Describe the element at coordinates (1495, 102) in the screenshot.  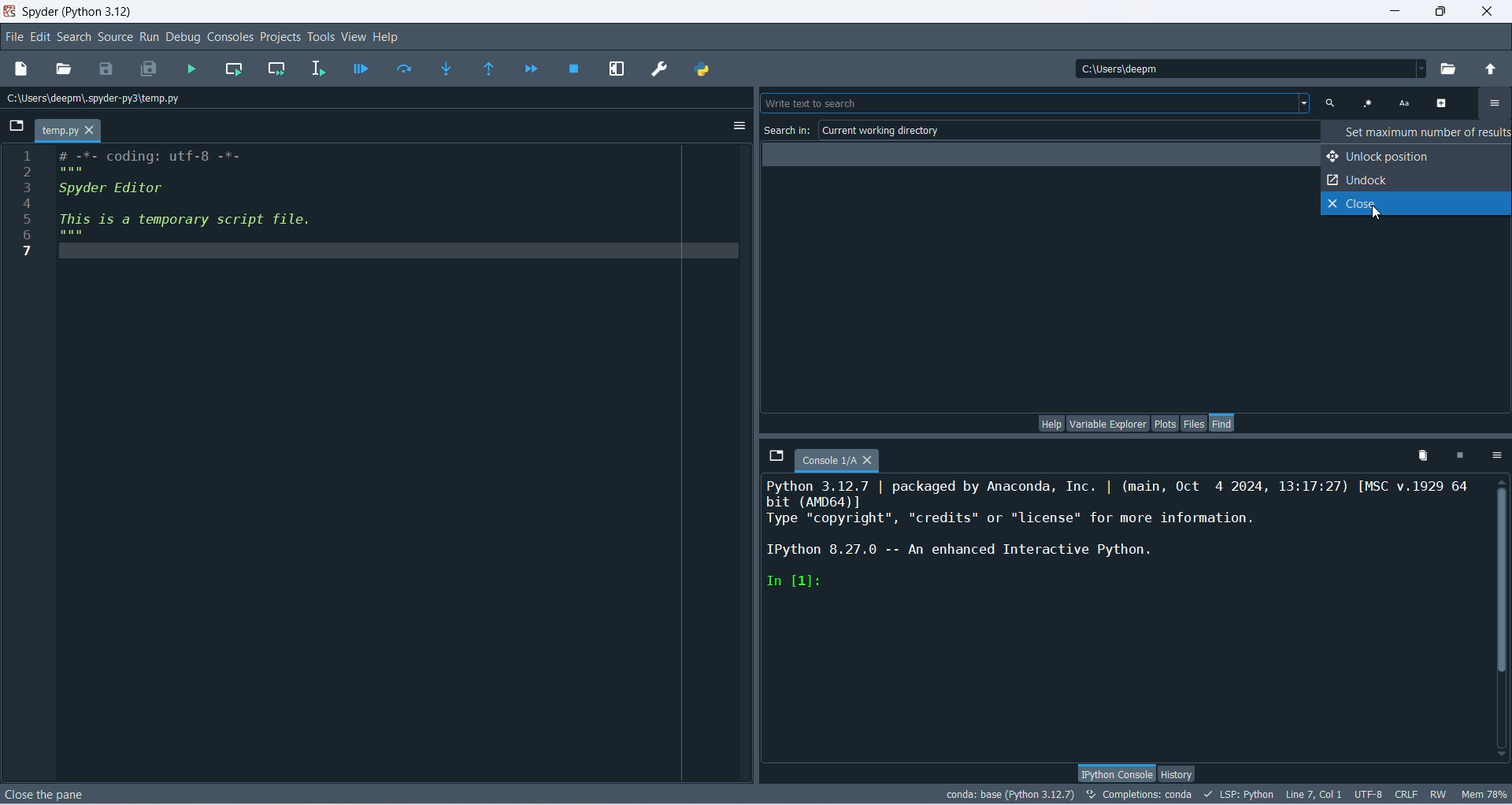
I see `options` at that location.